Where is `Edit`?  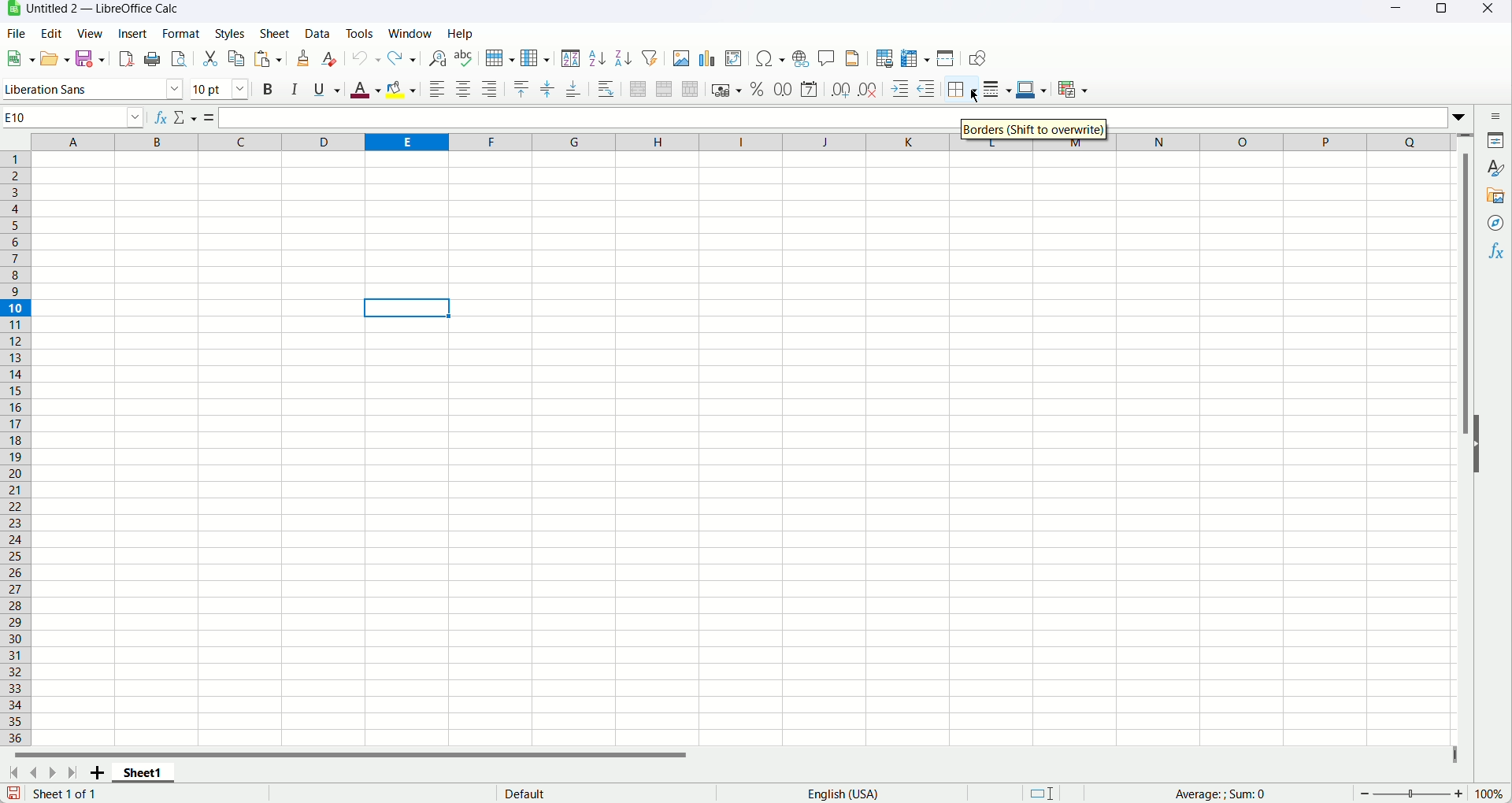
Edit is located at coordinates (52, 32).